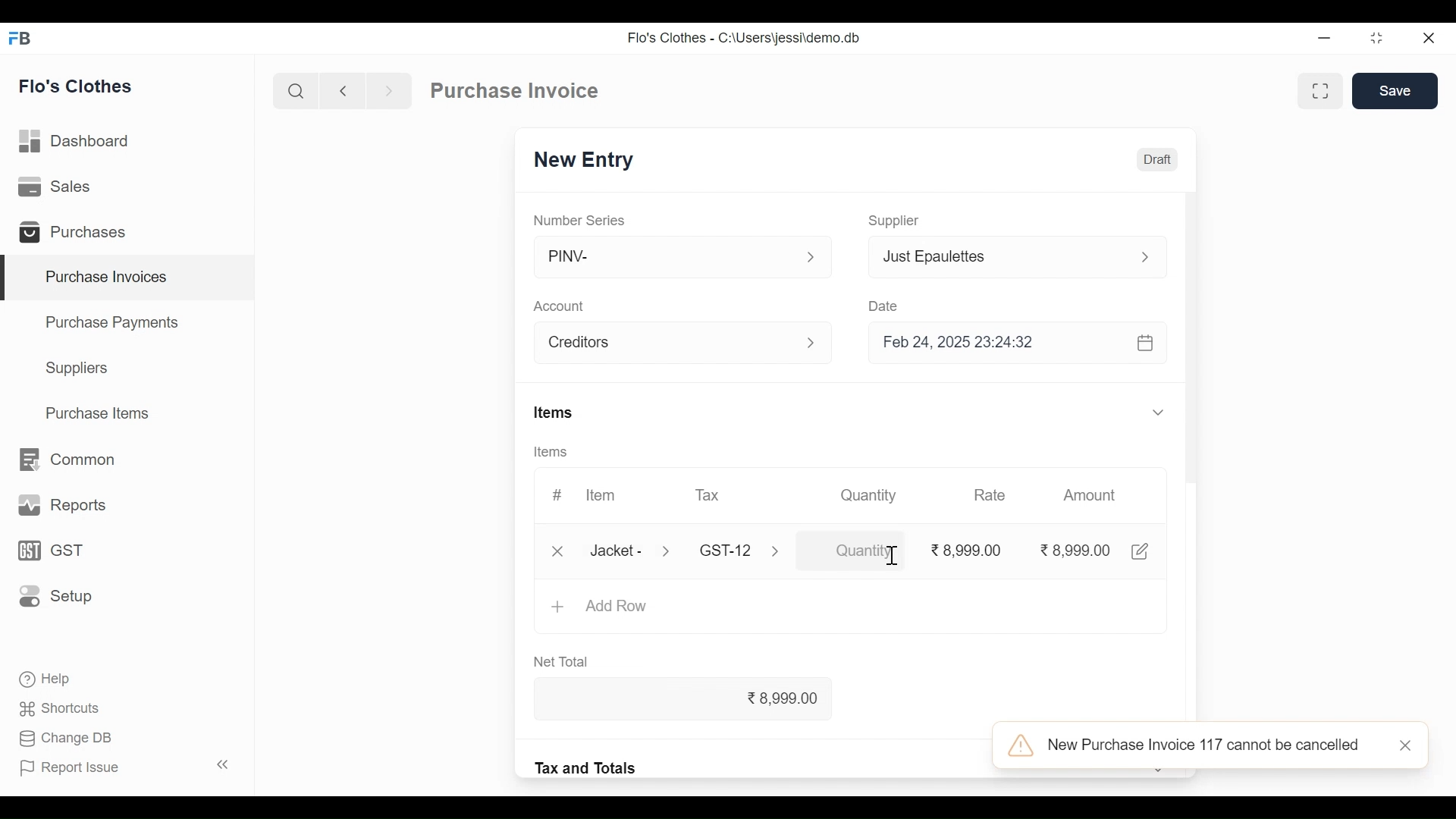 This screenshot has height=819, width=1456. I want to click on Supplier, so click(897, 221).